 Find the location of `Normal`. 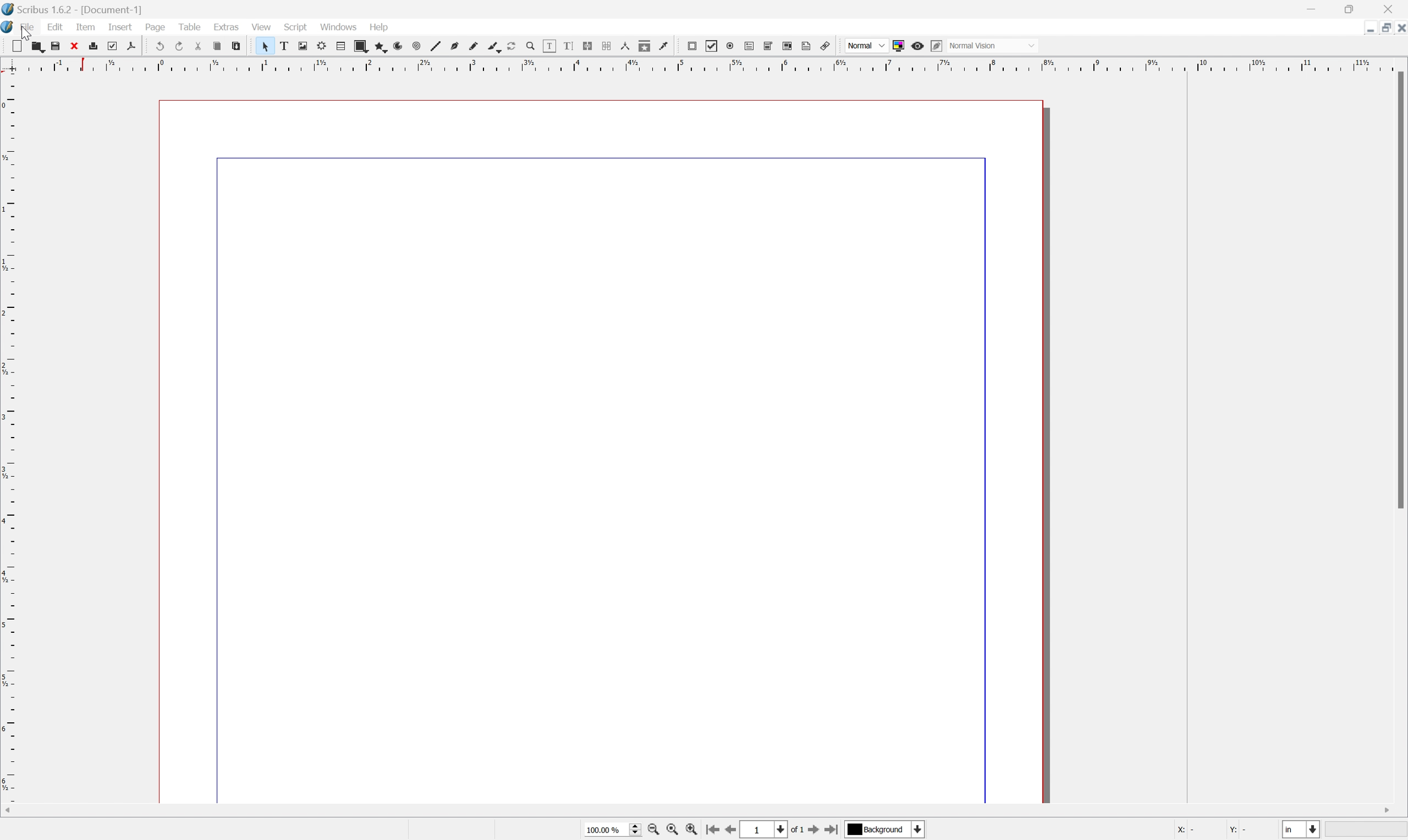

Normal is located at coordinates (864, 45).